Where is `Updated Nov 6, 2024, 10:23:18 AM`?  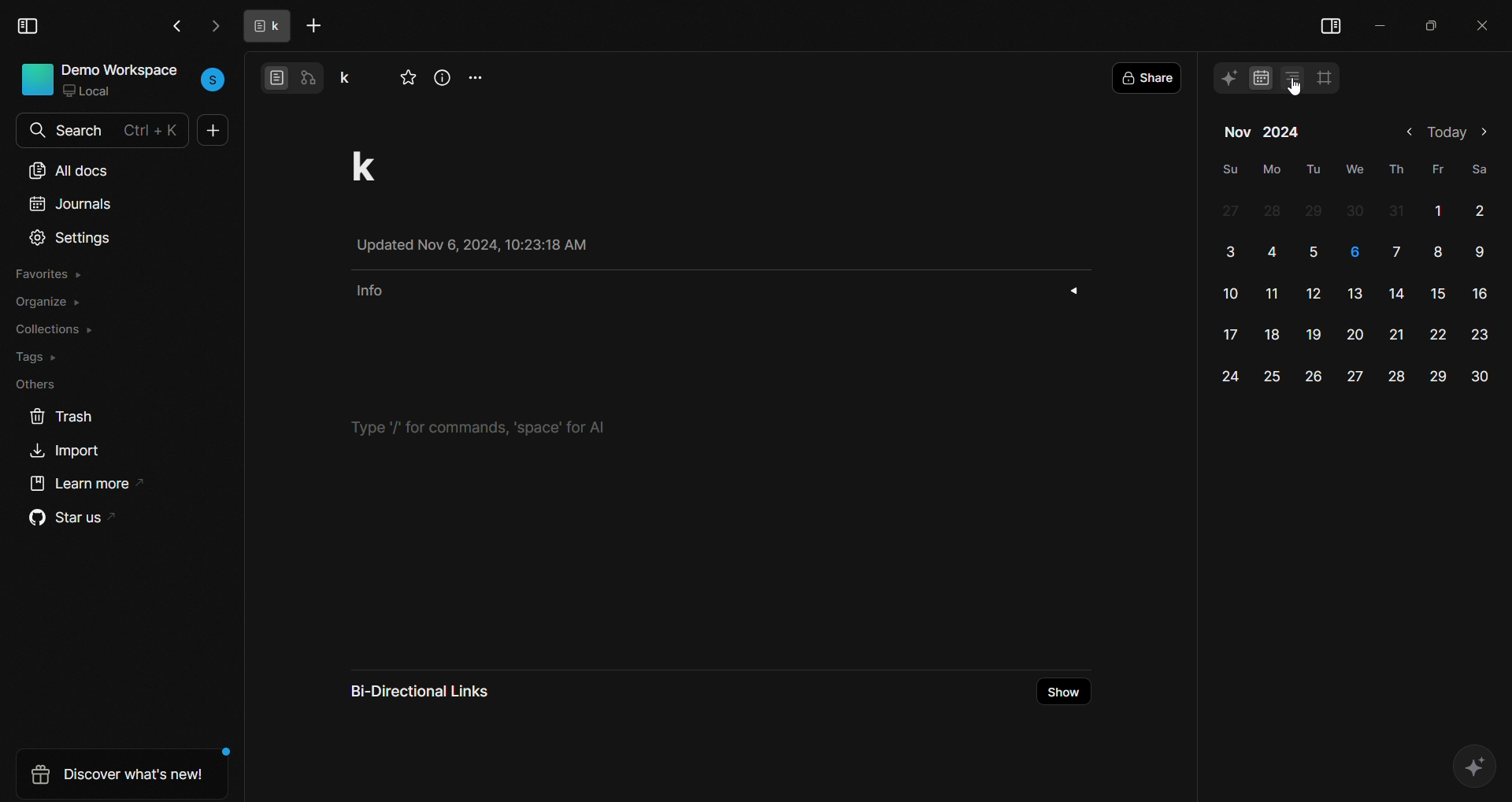
Updated Nov 6, 2024, 10:23:18 AM is located at coordinates (486, 245).